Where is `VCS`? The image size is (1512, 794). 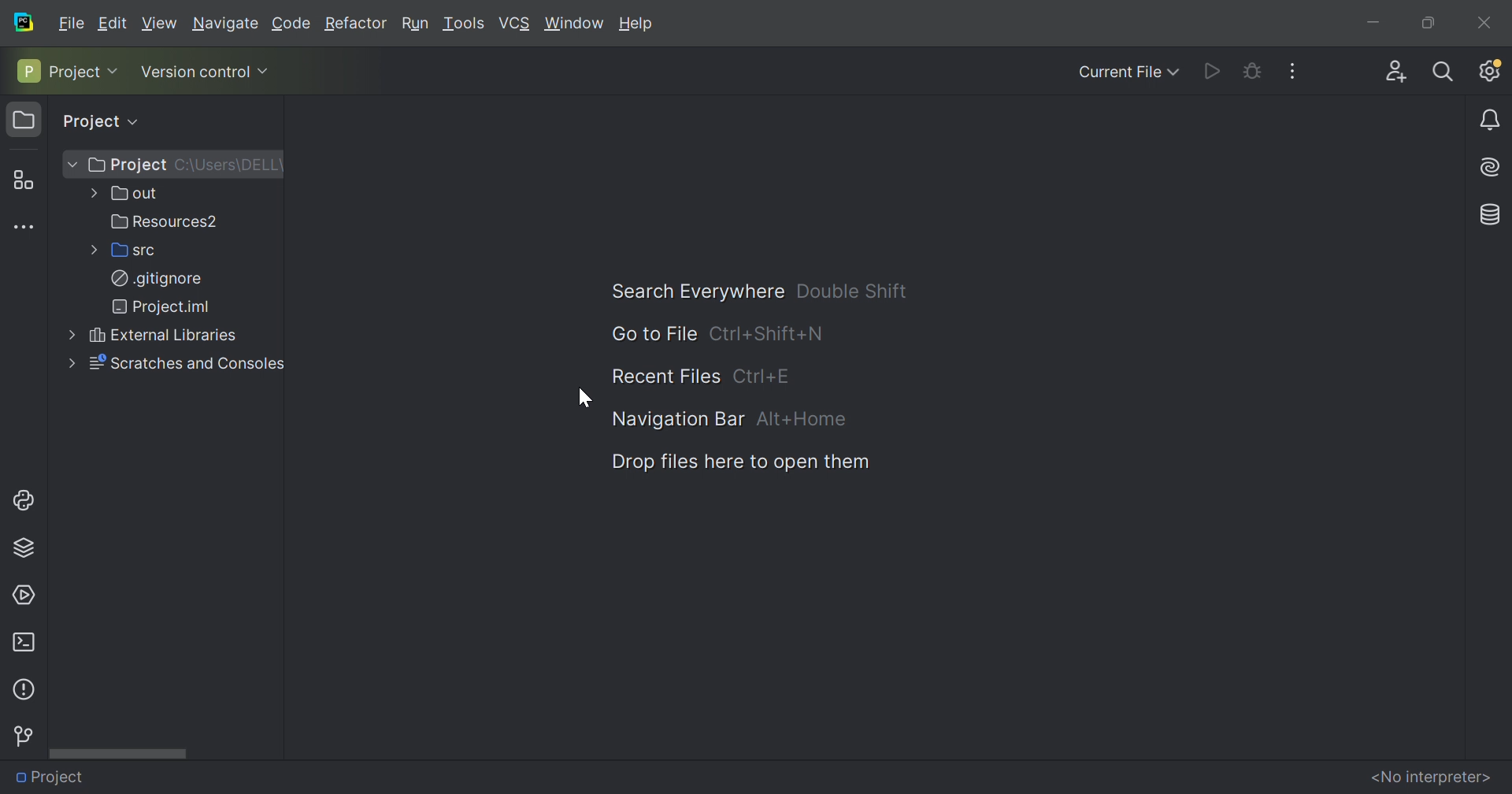
VCS is located at coordinates (515, 23).